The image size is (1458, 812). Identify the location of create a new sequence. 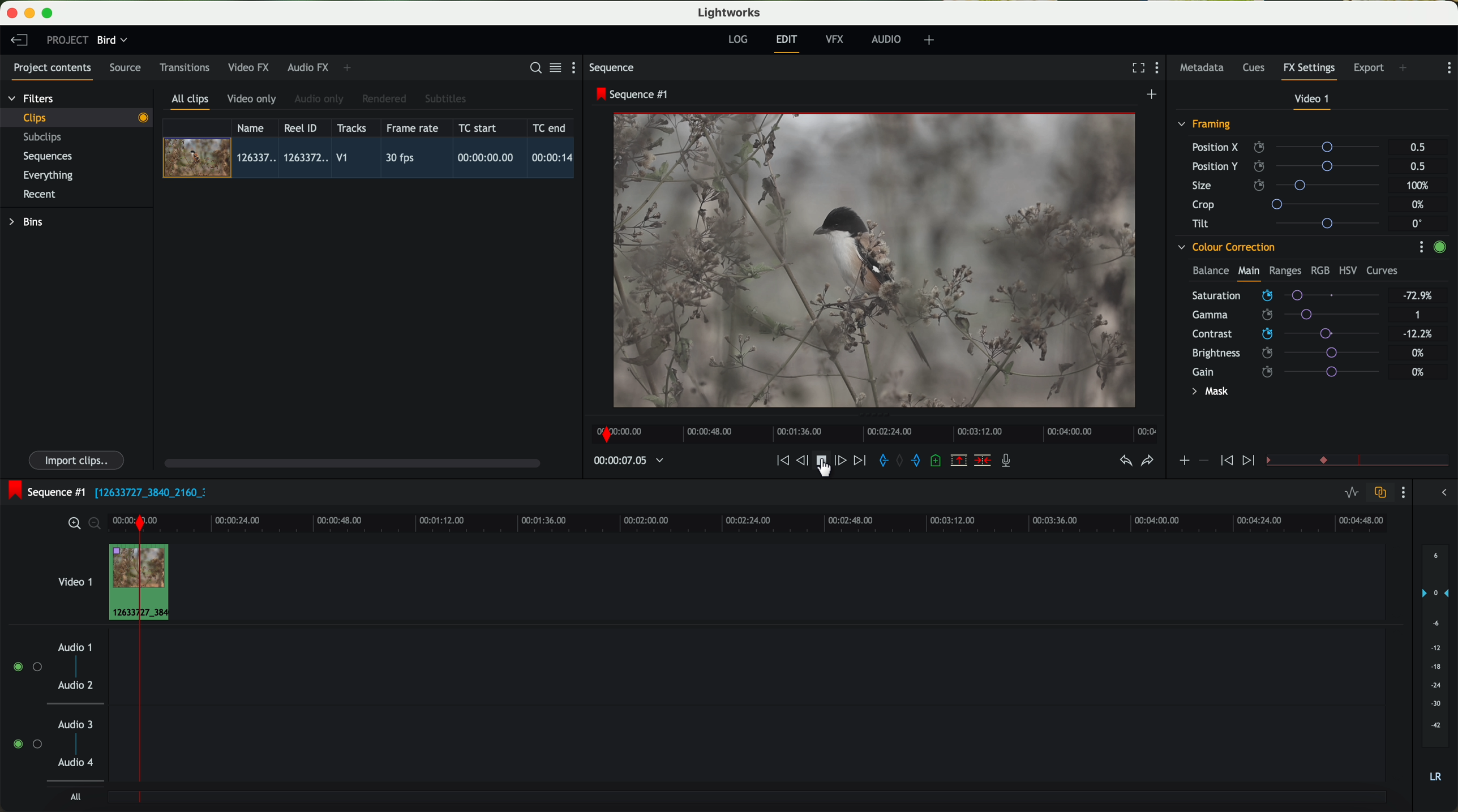
(1153, 95).